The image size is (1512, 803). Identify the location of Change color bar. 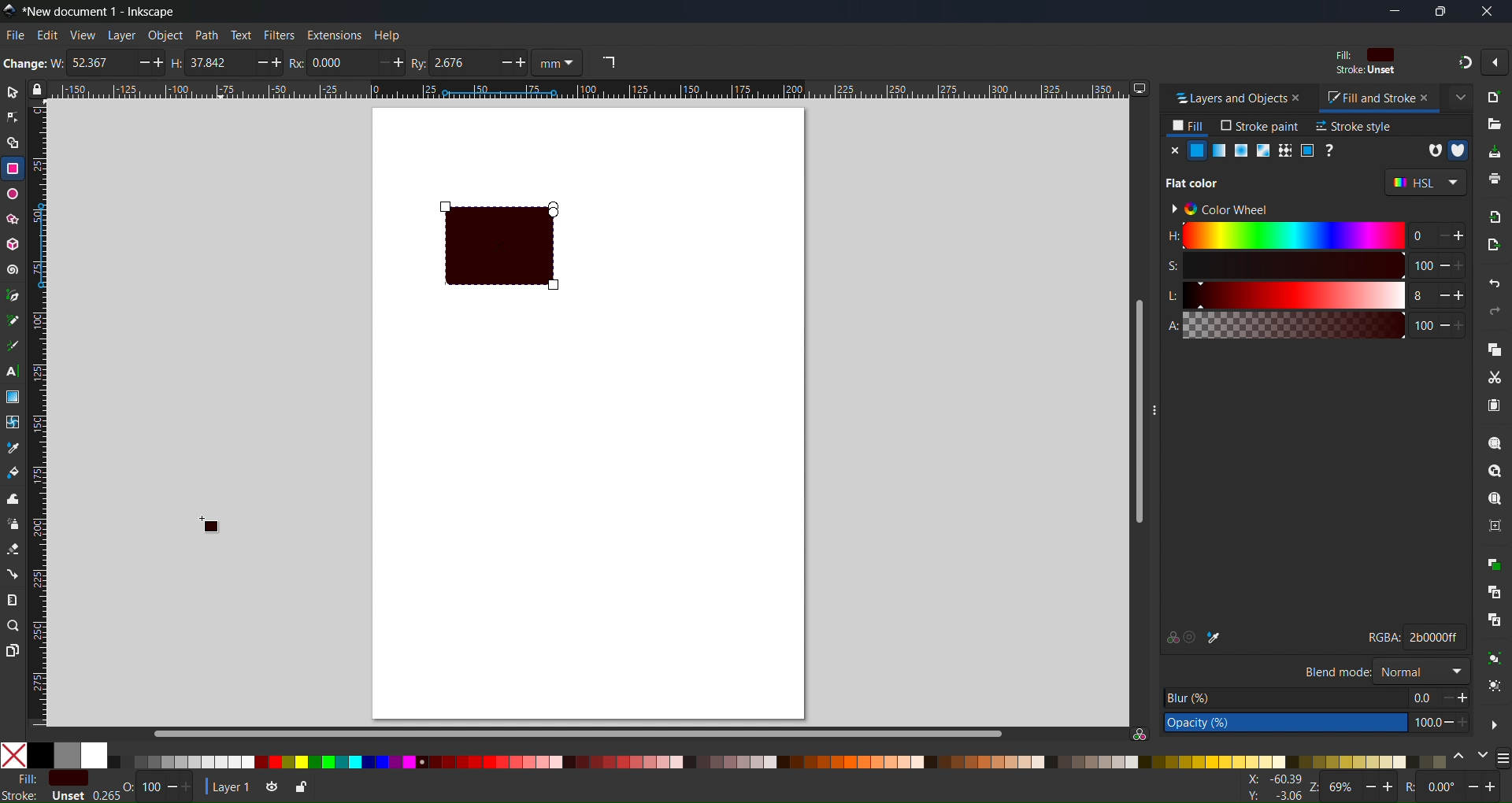
(1459, 758).